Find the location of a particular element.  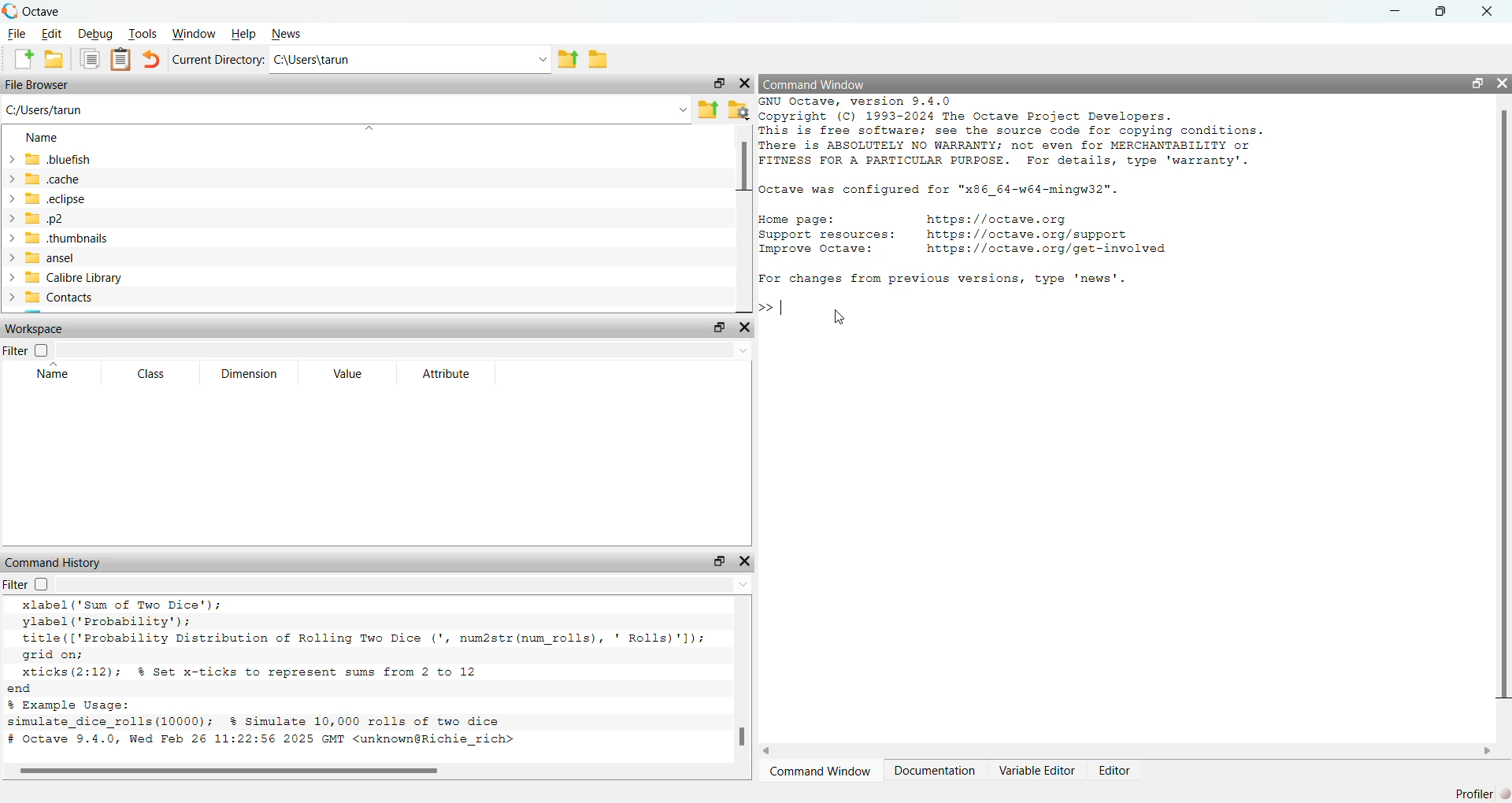

Attribute is located at coordinates (446, 374).